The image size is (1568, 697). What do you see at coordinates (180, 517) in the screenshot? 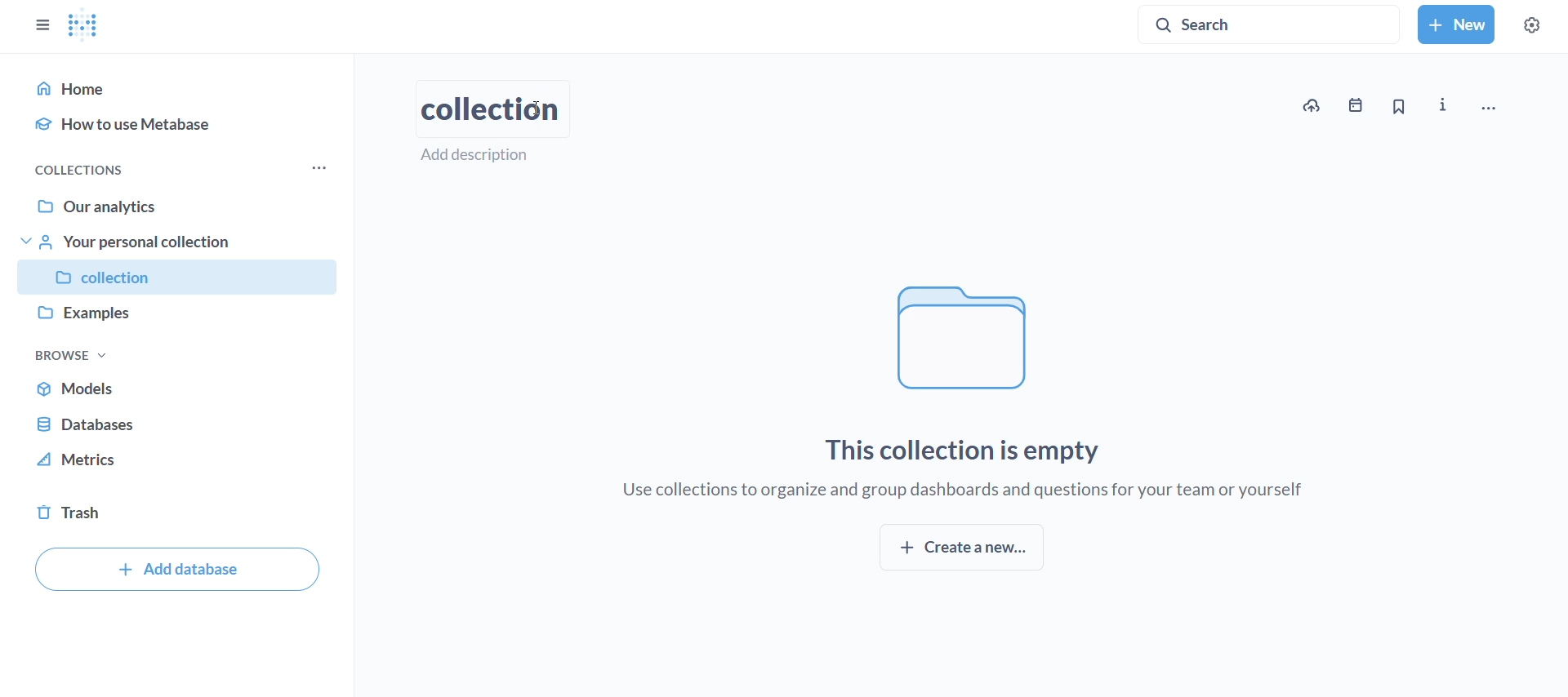
I see `trash` at bounding box center [180, 517].